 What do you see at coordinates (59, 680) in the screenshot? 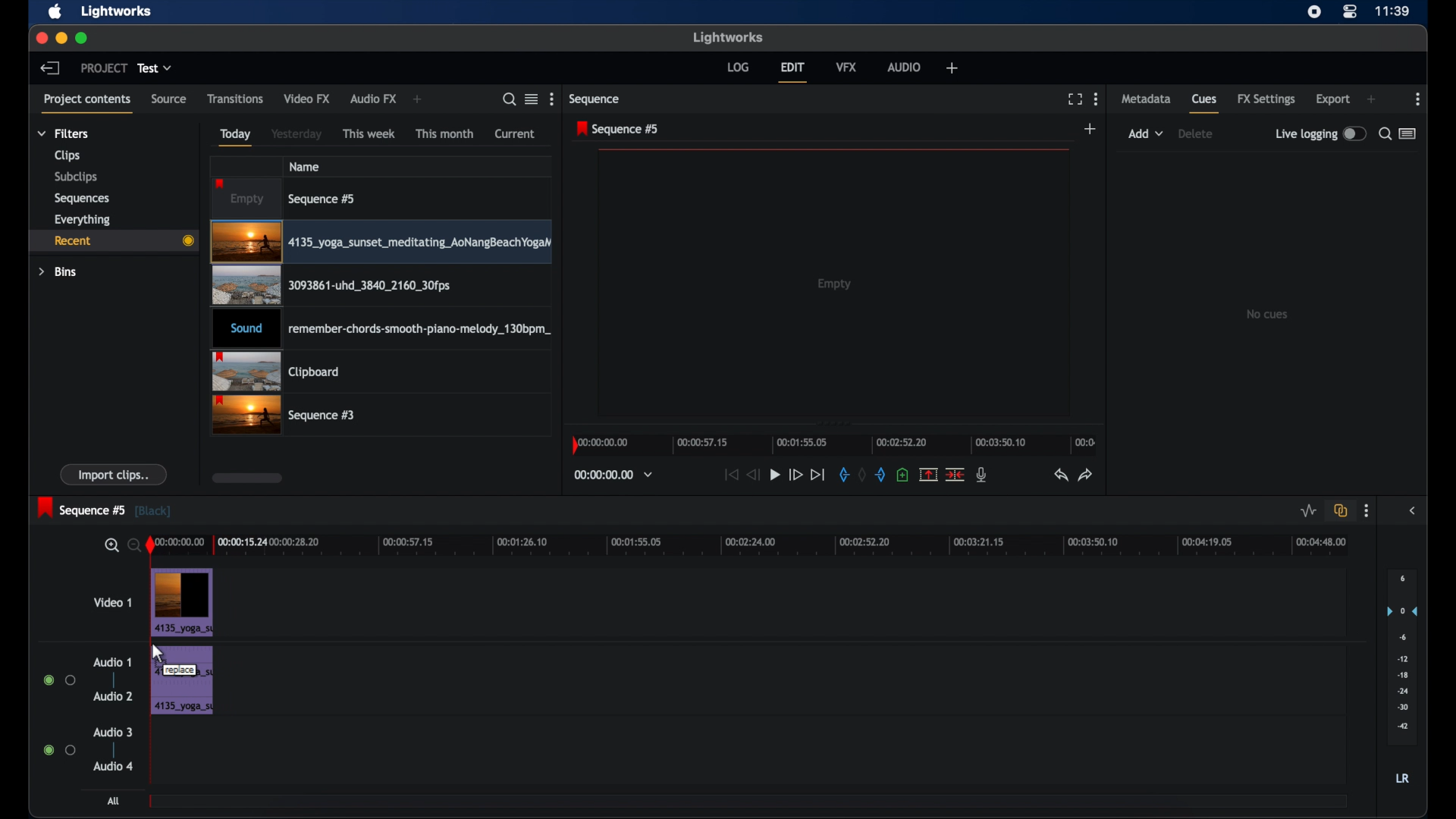
I see `radio buttons` at bounding box center [59, 680].